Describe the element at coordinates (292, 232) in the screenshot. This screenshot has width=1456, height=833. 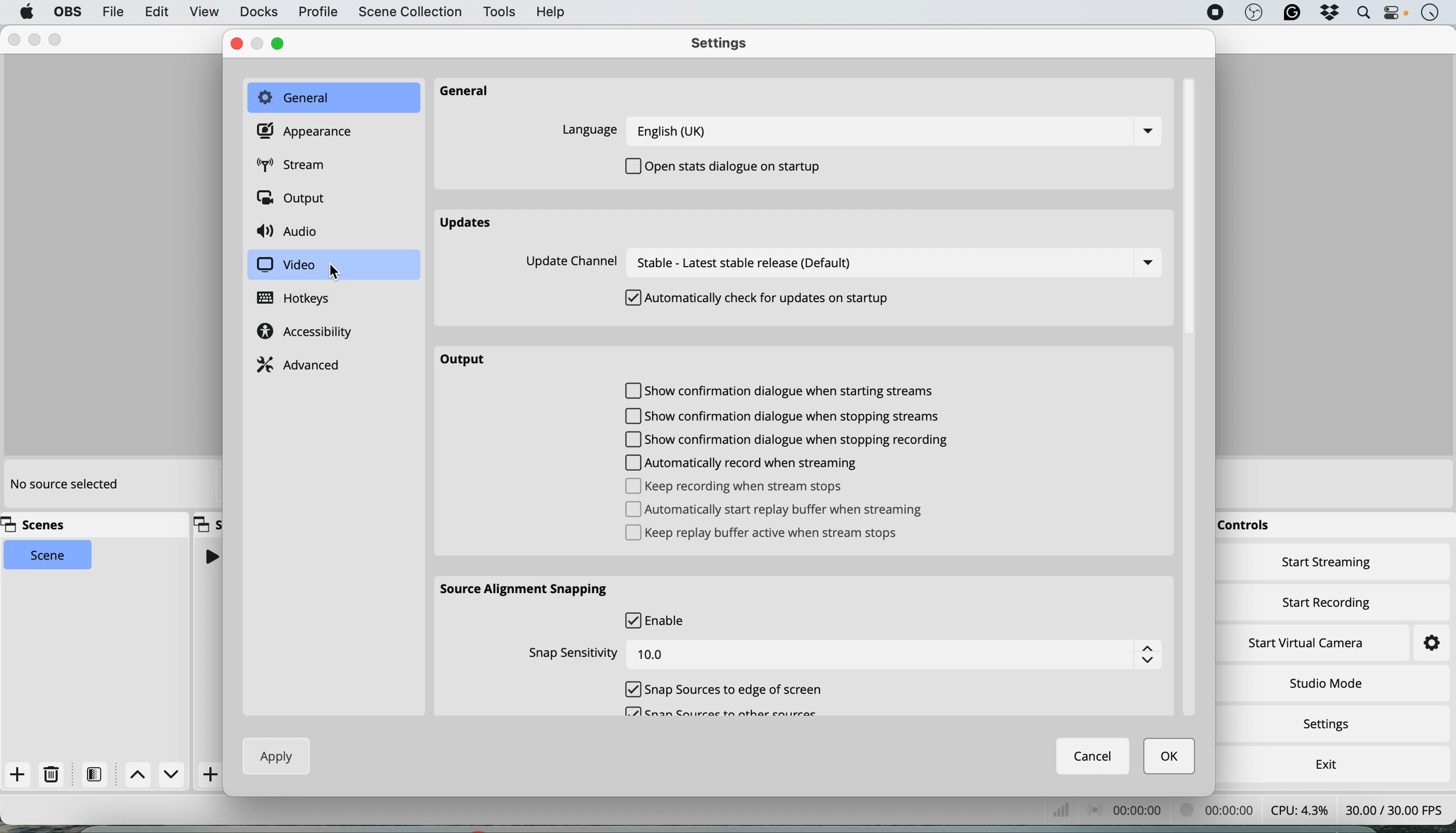
I see `audio` at that location.